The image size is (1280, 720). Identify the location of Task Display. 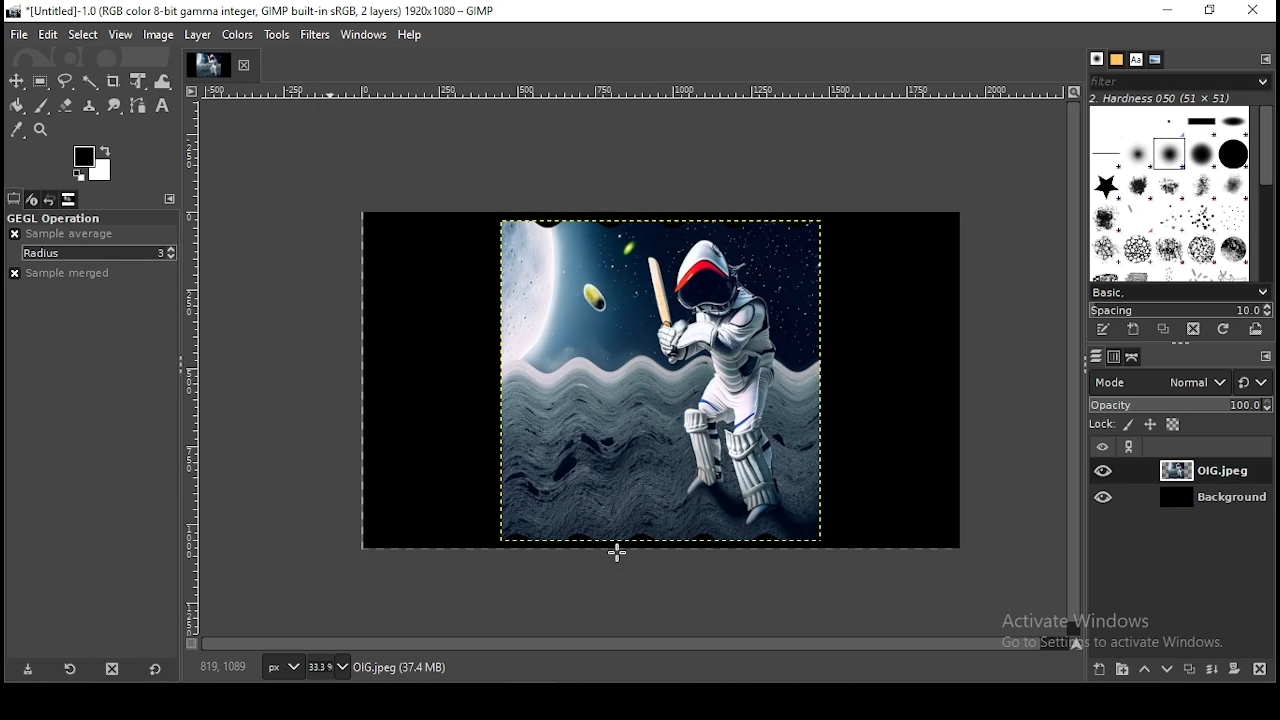
(211, 66).